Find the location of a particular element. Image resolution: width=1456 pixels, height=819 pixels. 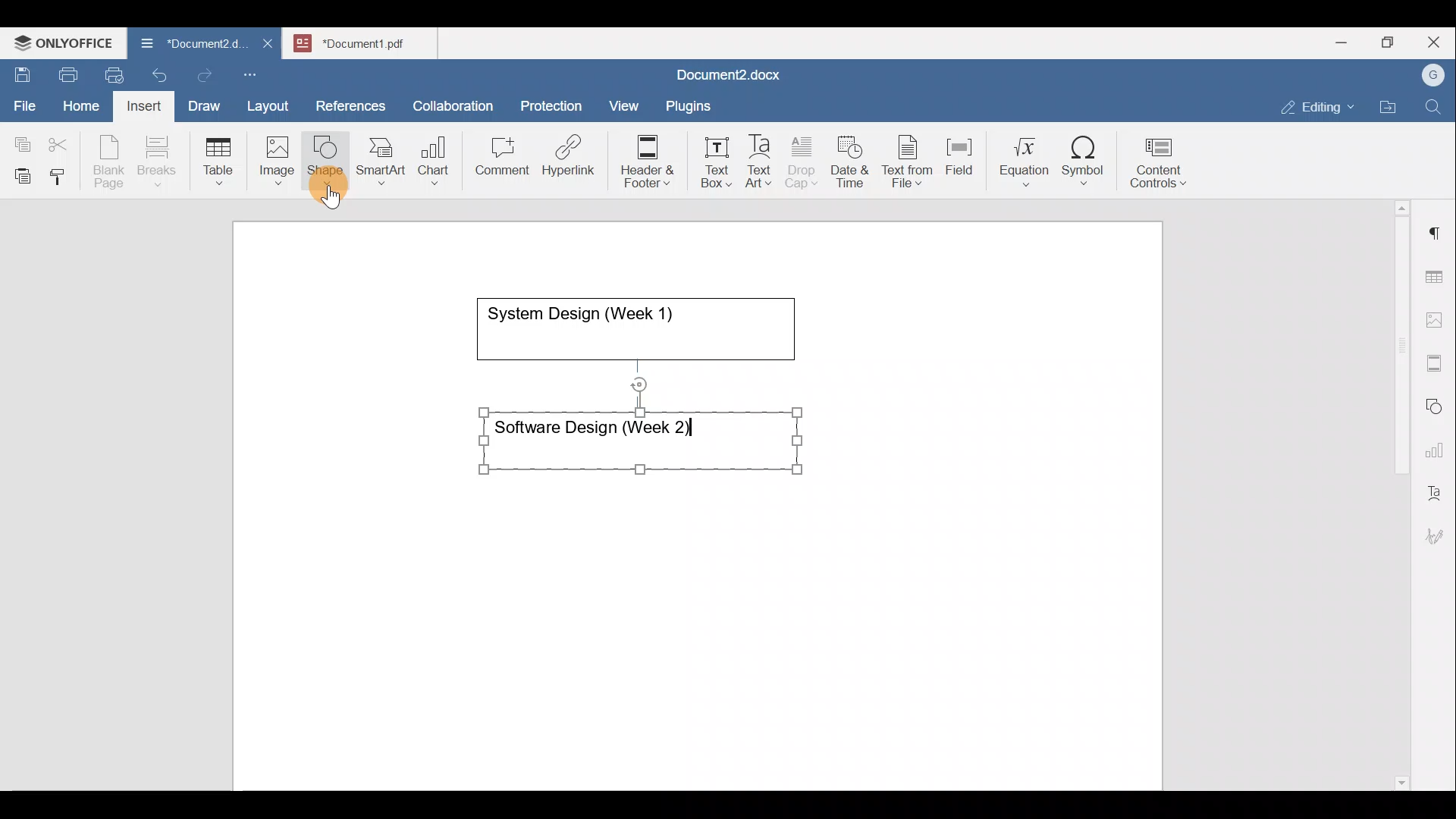

Paragraph settings is located at coordinates (1436, 227).